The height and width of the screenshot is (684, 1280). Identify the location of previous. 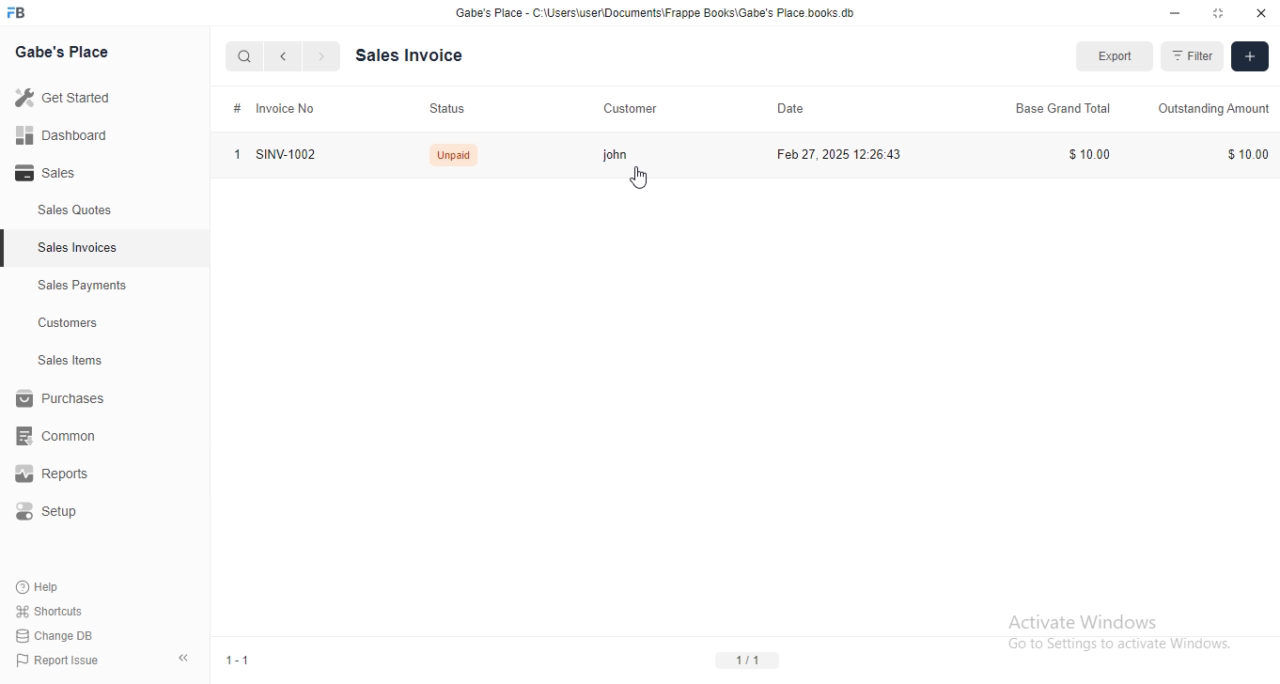
(283, 56).